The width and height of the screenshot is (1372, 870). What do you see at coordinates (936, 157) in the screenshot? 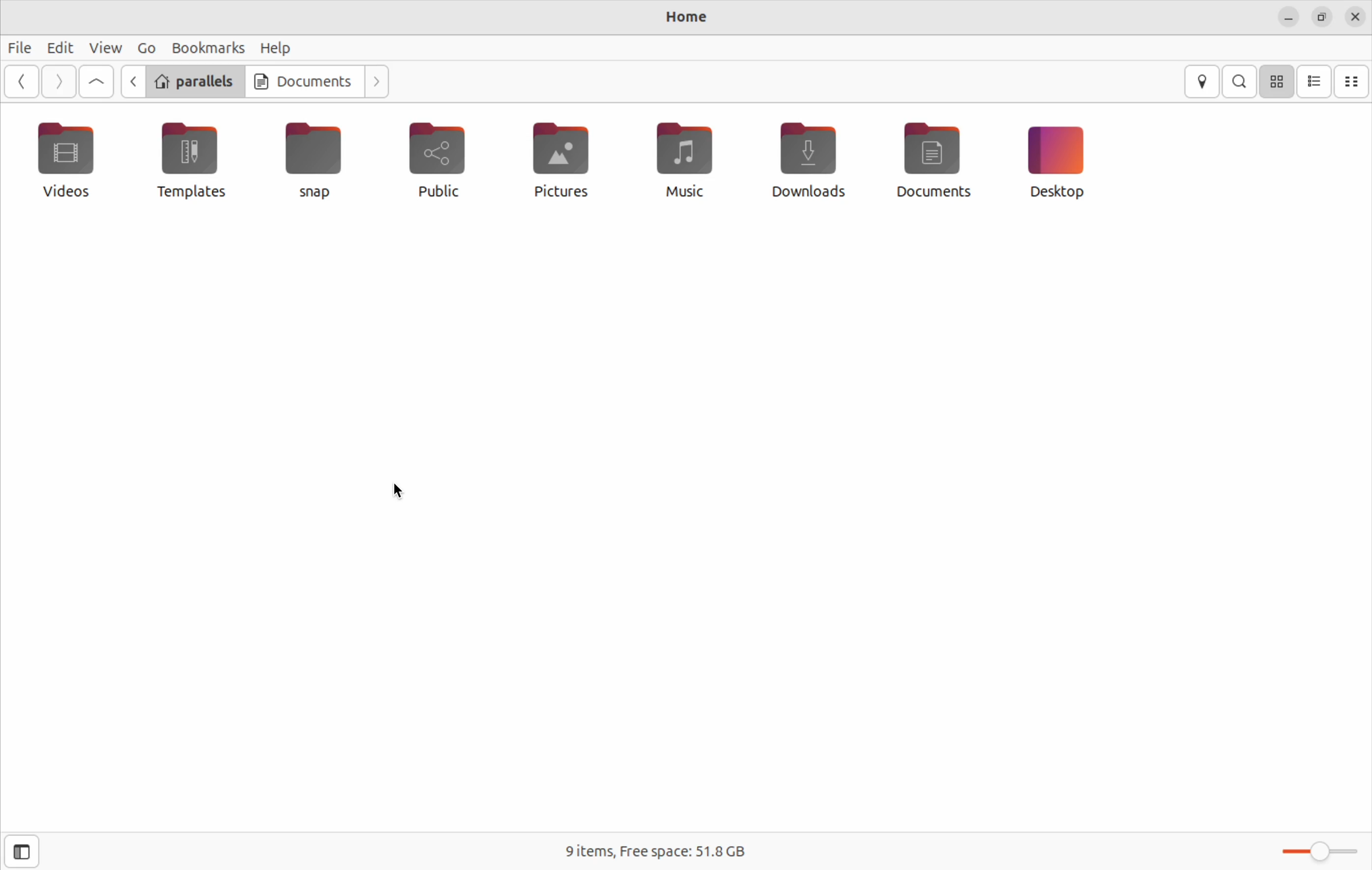
I see `documents` at bounding box center [936, 157].